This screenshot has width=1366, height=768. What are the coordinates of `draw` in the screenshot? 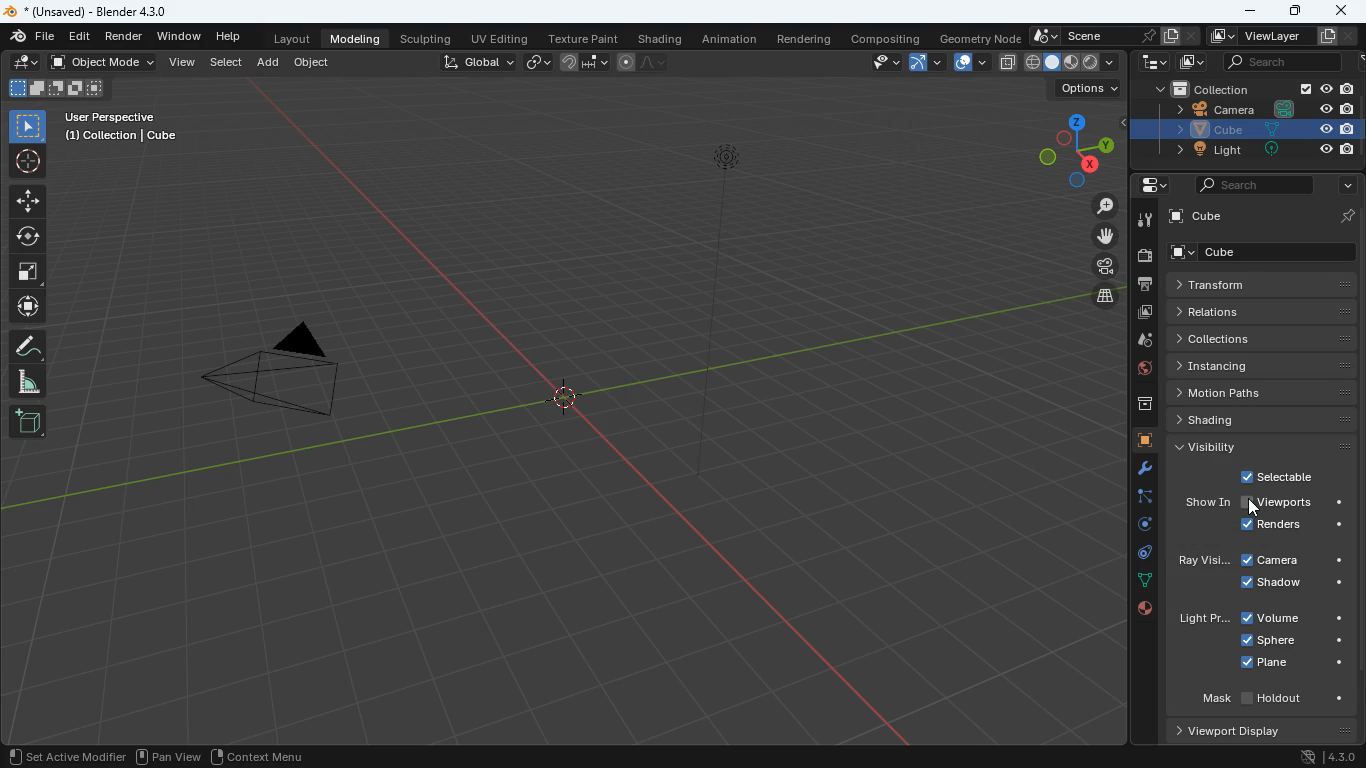 It's located at (26, 64).